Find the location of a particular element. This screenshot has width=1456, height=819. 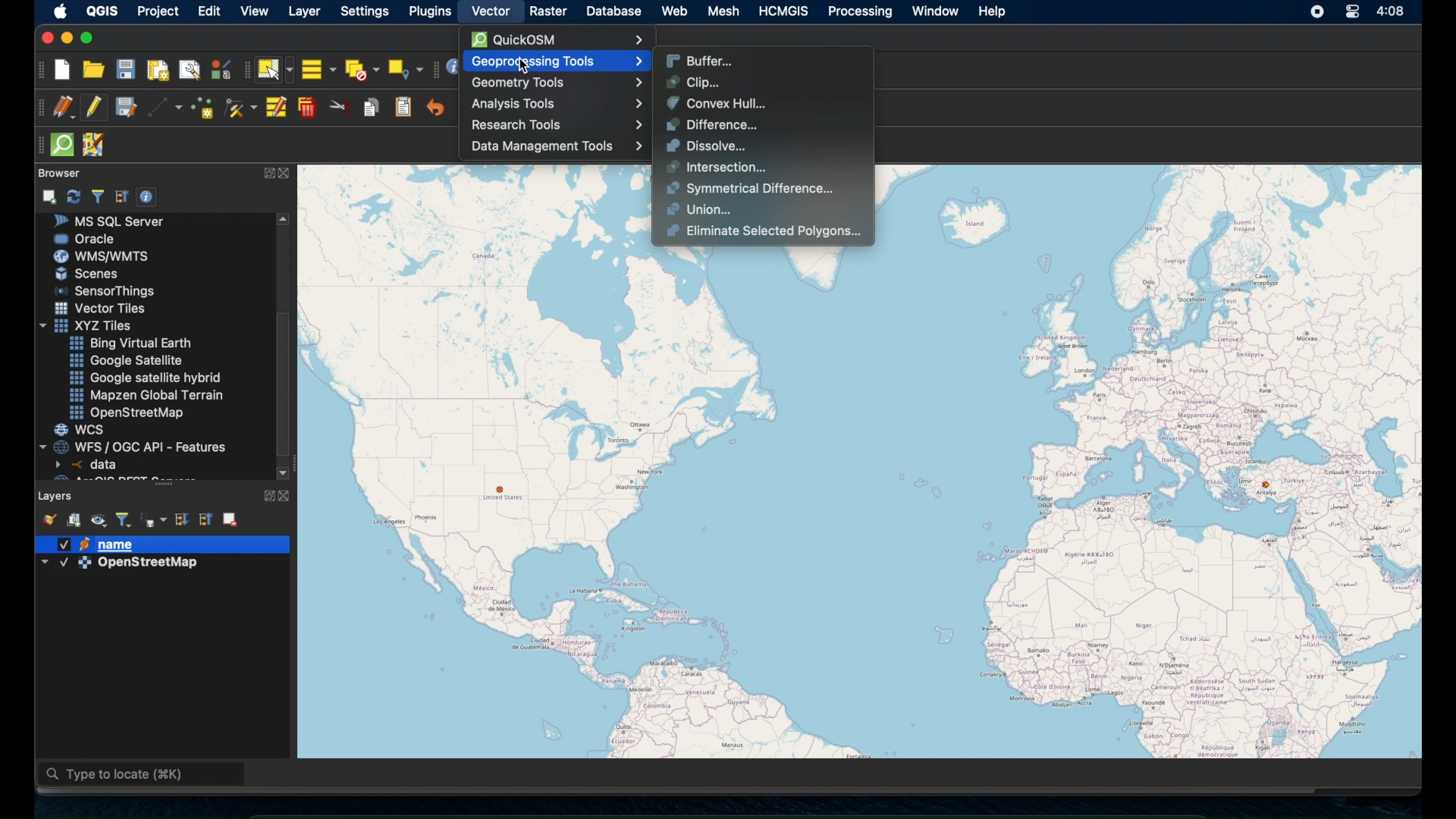

Clip... is located at coordinates (691, 81).